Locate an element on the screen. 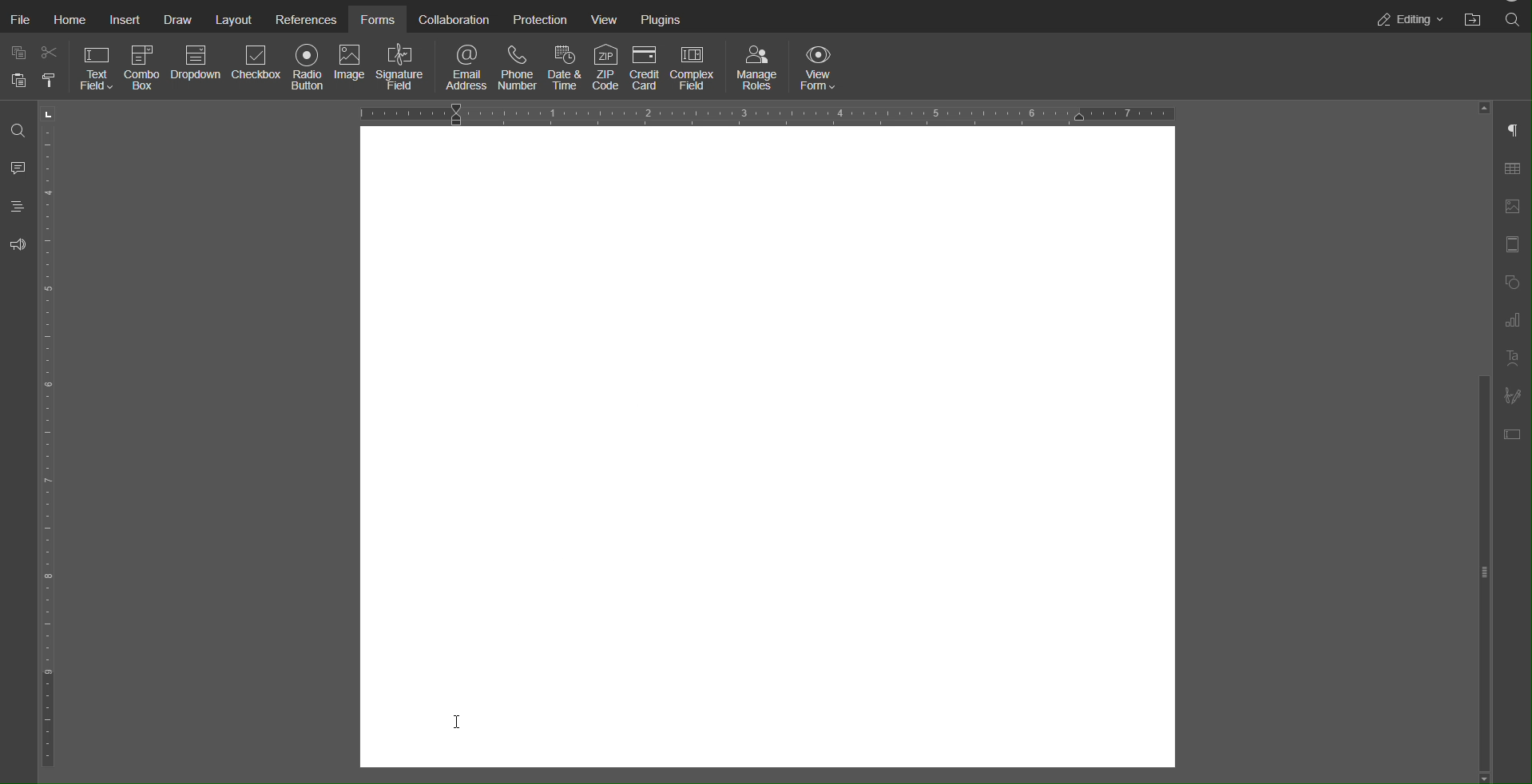 The width and height of the screenshot is (1532, 784). Headings is located at coordinates (18, 206).